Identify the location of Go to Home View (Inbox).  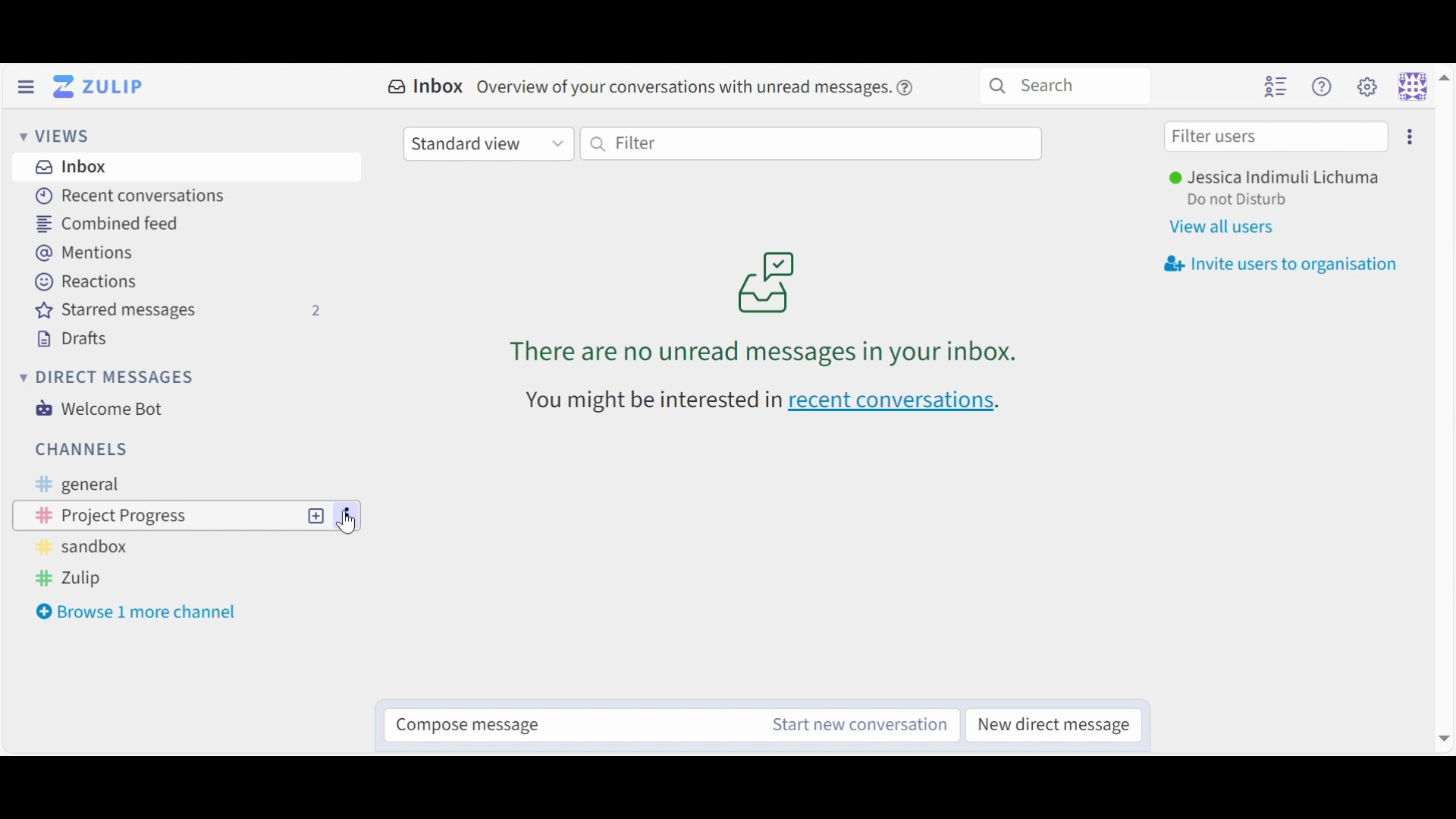
(105, 86).